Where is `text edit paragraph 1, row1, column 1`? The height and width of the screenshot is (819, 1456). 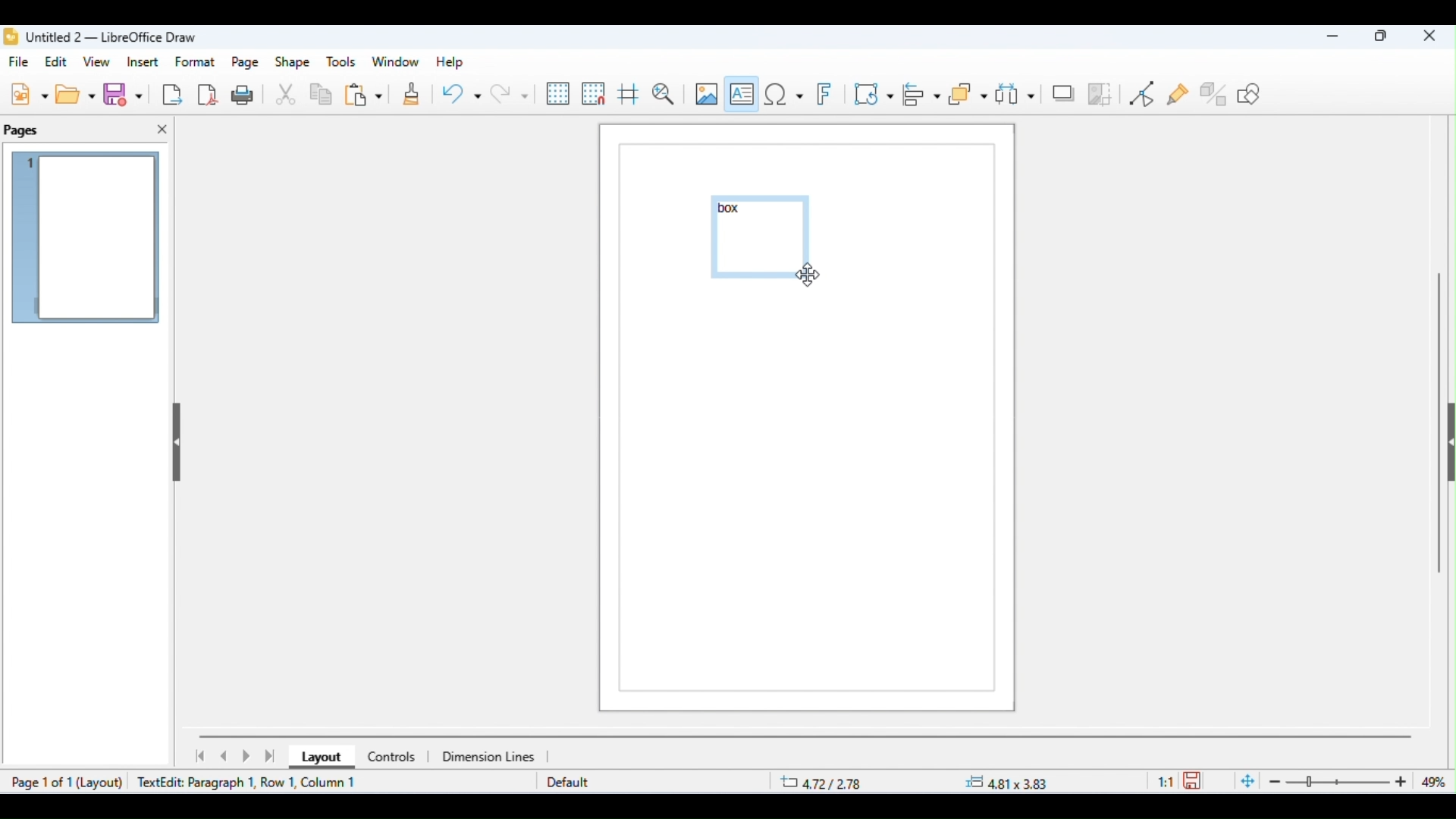 text edit paragraph 1, row1, column 1 is located at coordinates (252, 782).